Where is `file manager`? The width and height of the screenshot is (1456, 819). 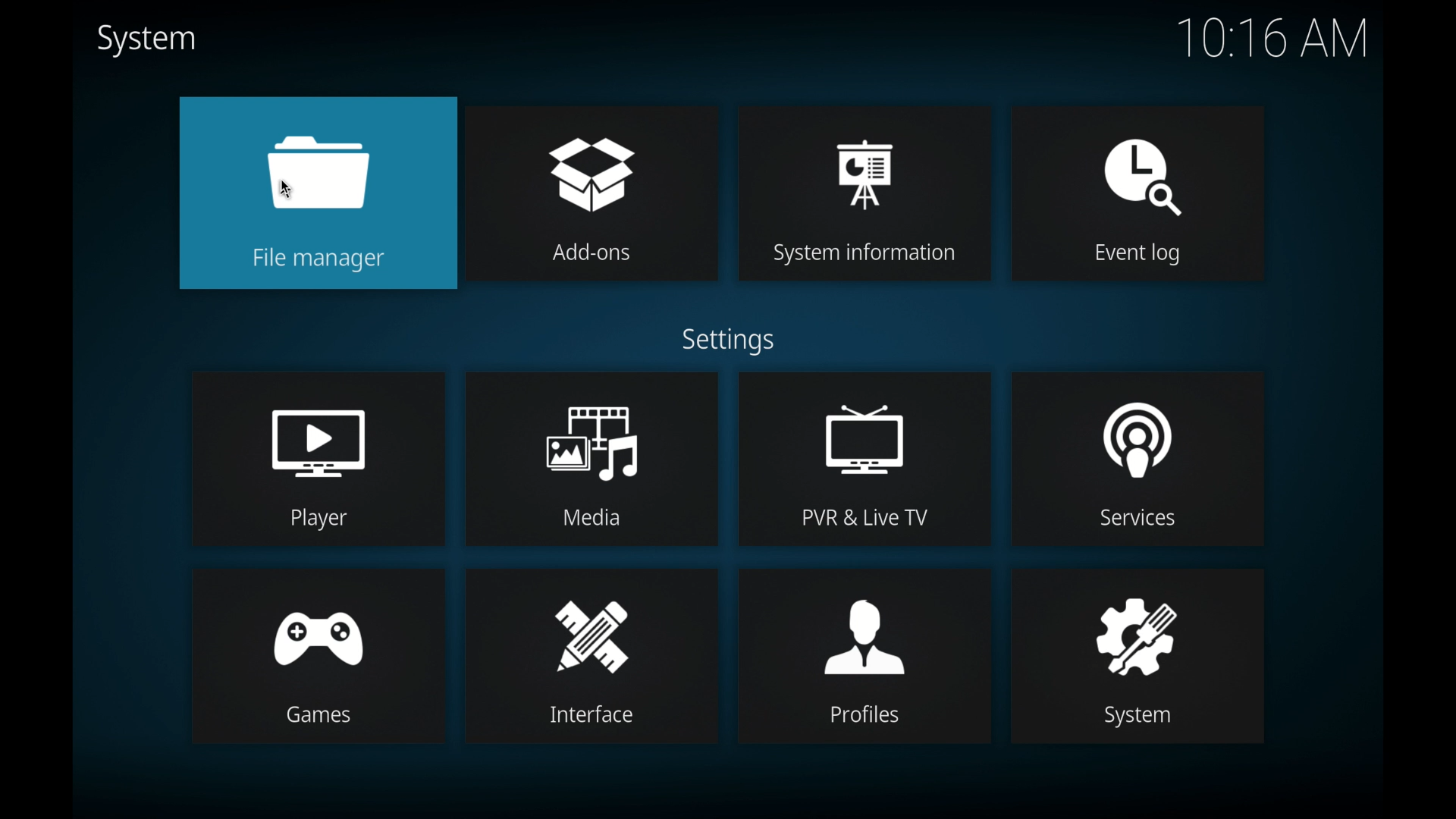
file manager is located at coordinates (318, 193).